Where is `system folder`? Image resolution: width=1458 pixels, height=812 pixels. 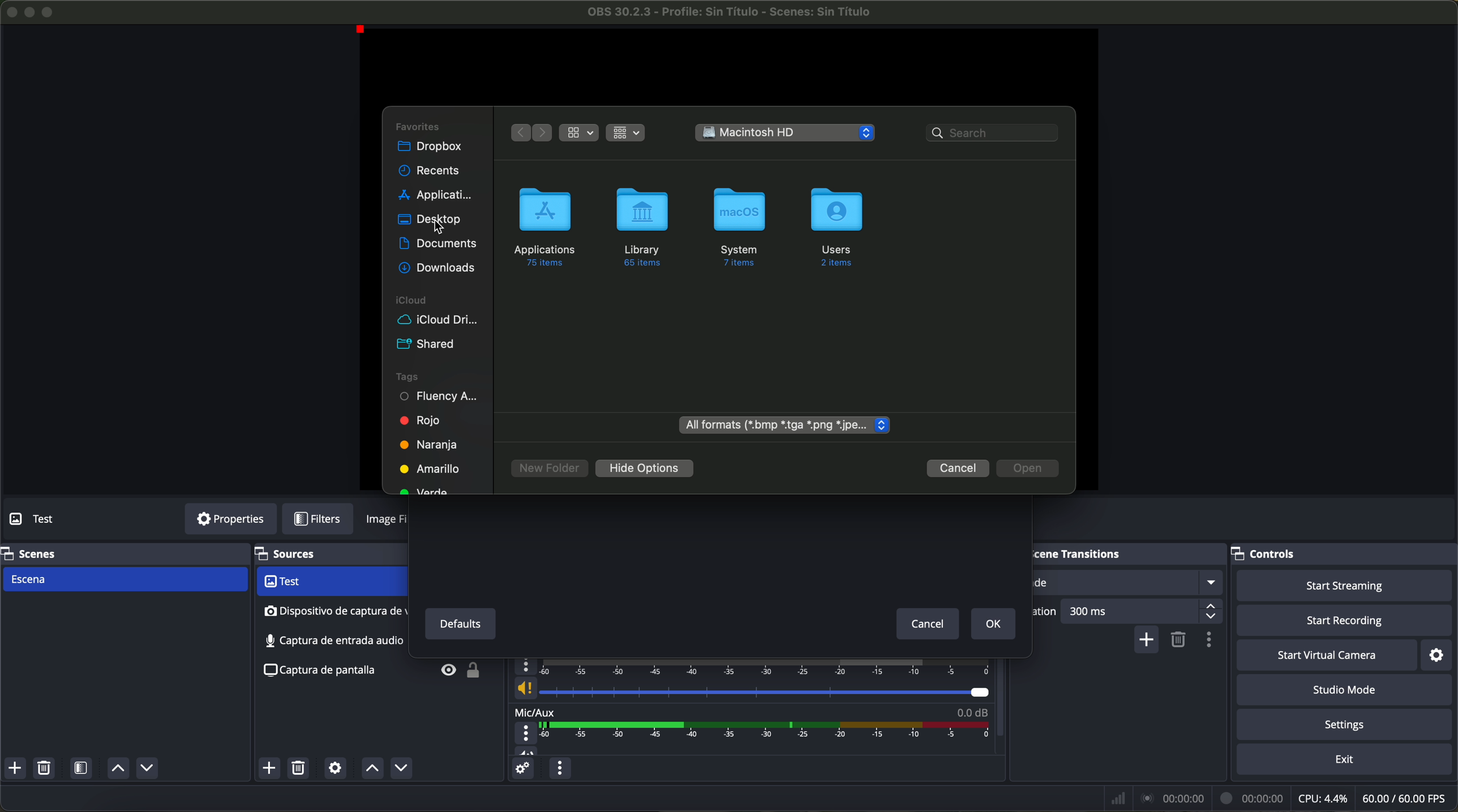
system folder is located at coordinates (737, 227).